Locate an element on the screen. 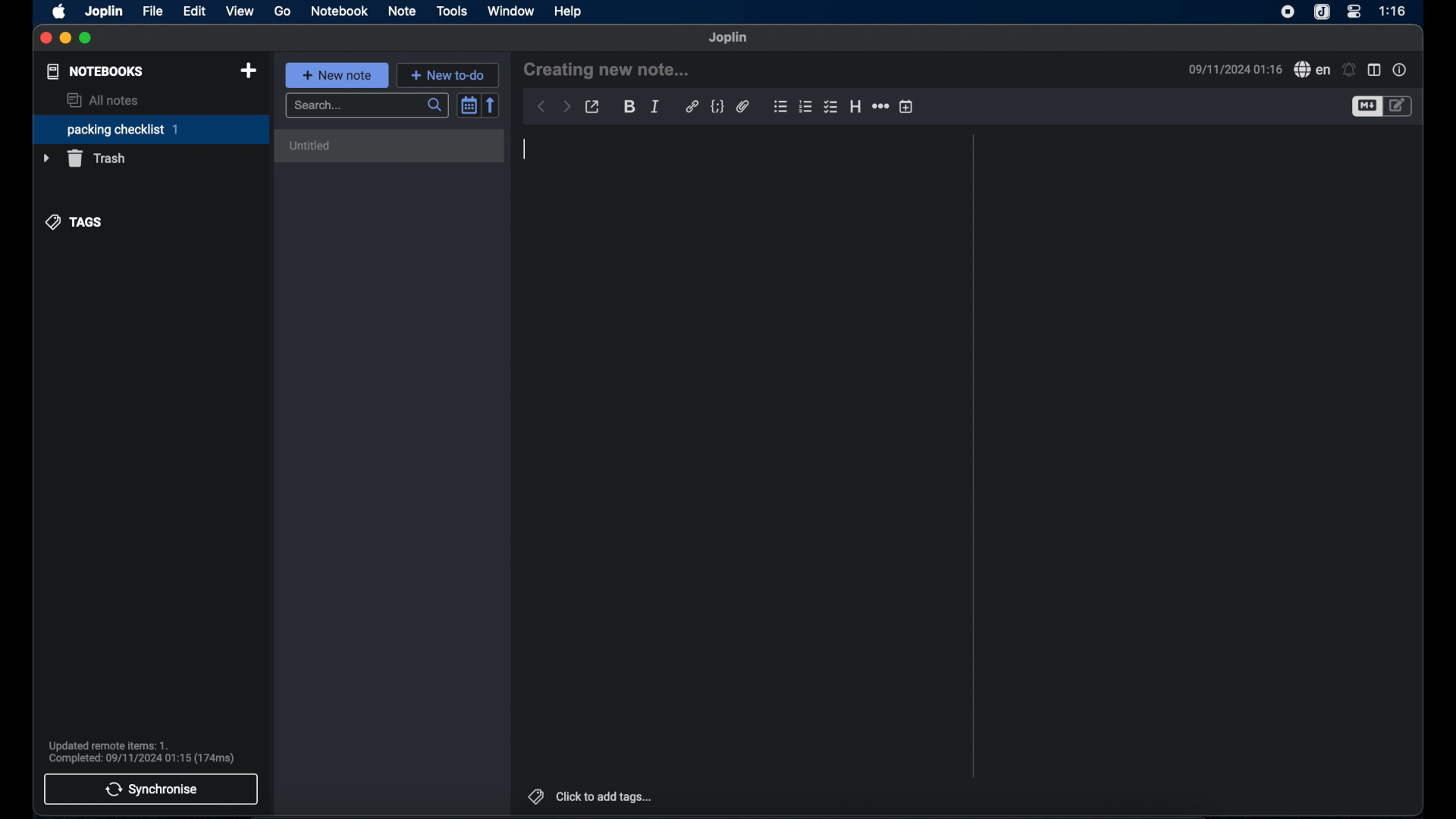 This screenshot has height=819, width=1456. text cursor is located at coordinates (524, 150).